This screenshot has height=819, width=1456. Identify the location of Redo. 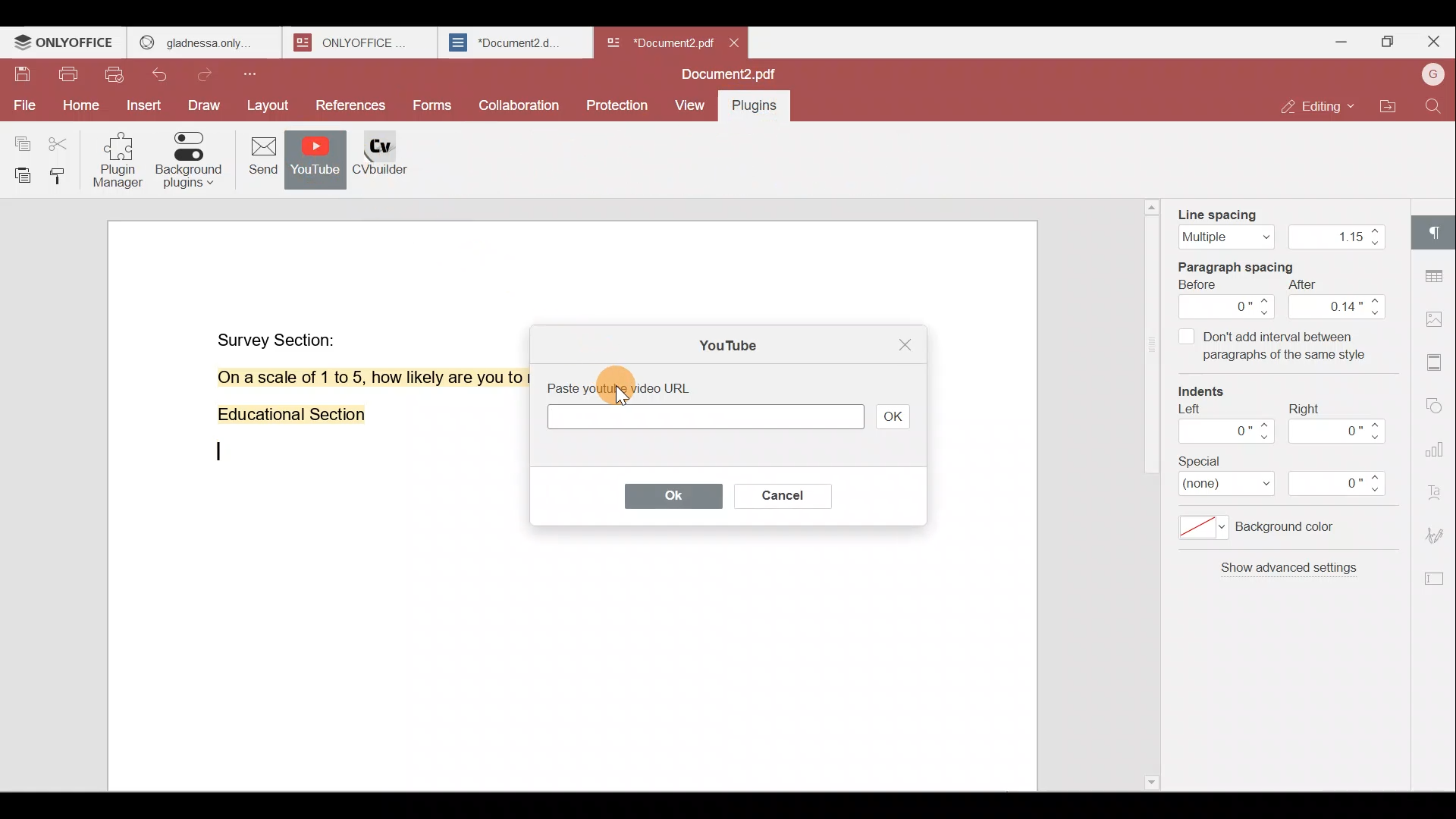
(209, 75).